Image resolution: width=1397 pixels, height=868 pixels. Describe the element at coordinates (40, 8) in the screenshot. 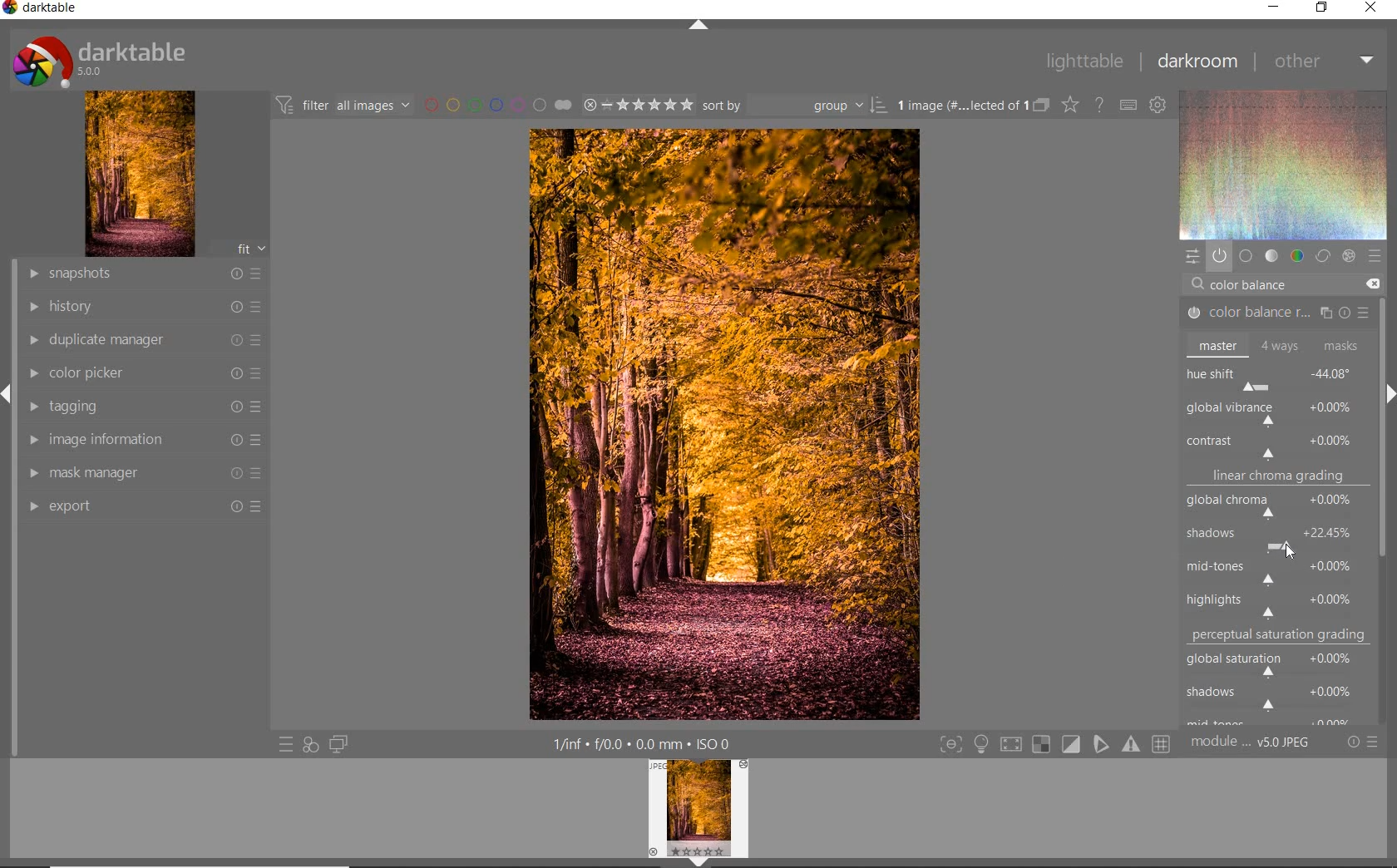

I see `system name` at that location.